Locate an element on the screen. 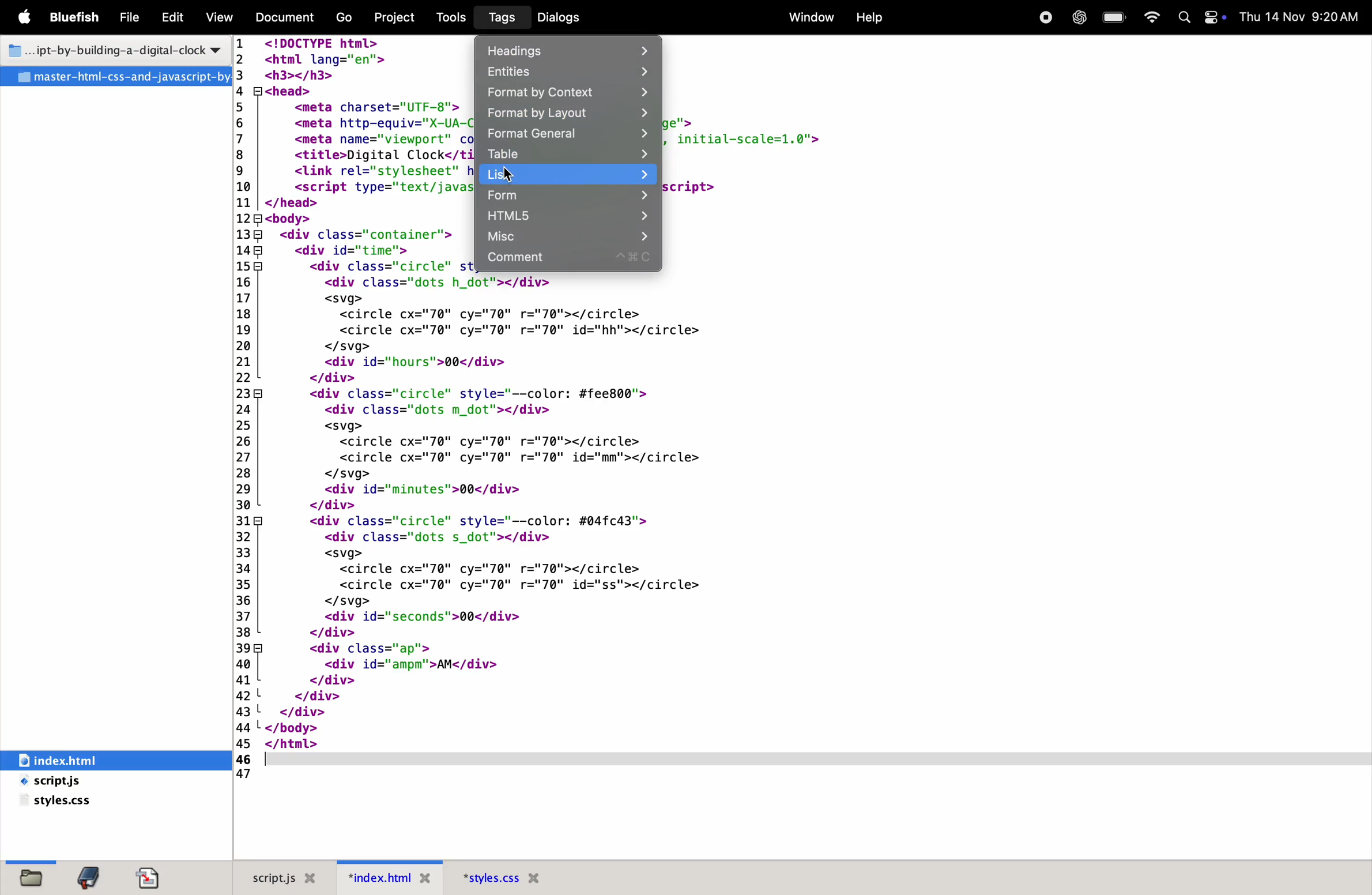  format by layout is located at coordinates (566, 114).